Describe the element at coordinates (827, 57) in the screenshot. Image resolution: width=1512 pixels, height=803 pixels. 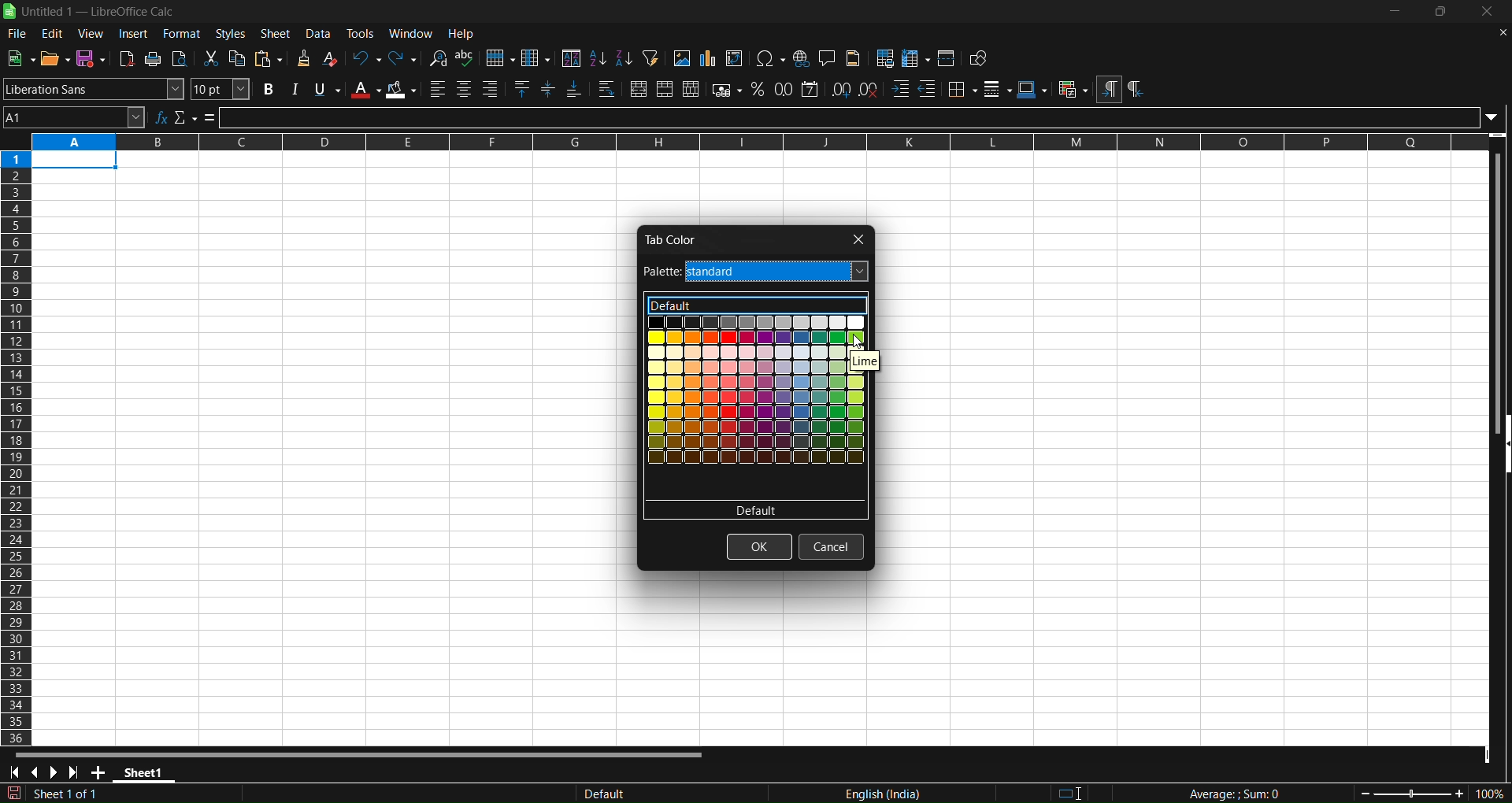
I see `insert comment` at that location.